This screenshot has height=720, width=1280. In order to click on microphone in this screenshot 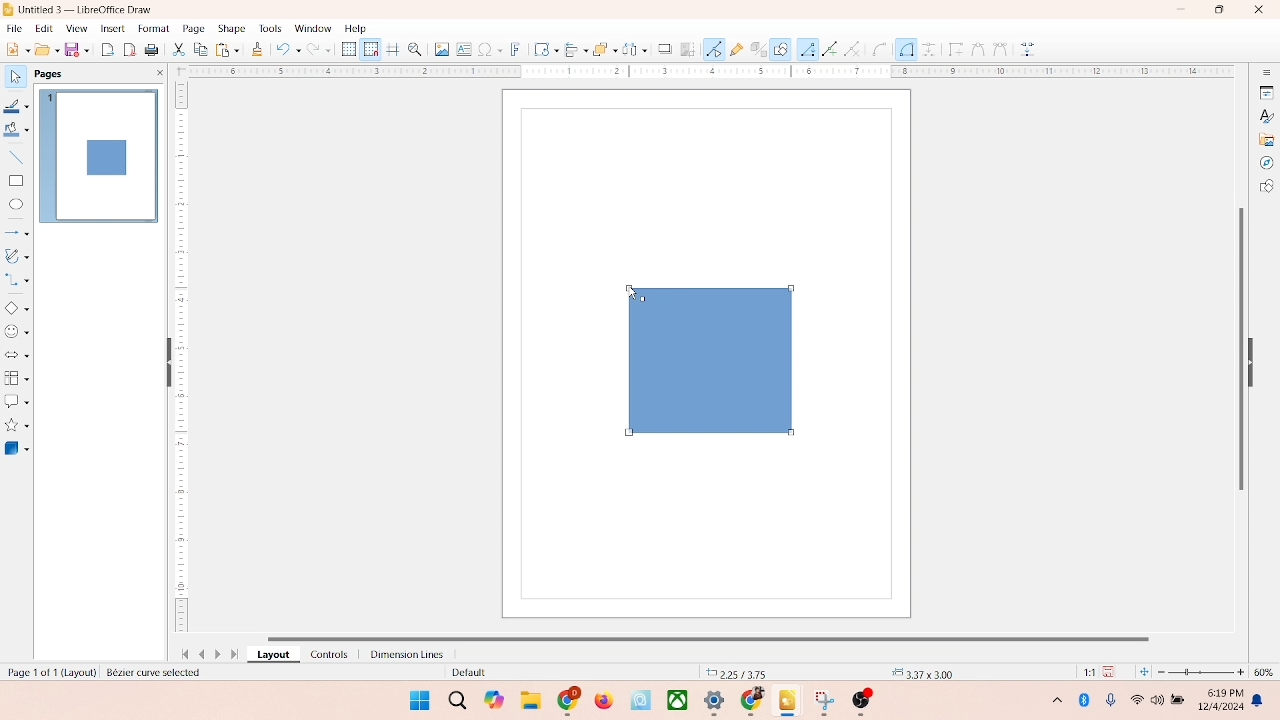, I will do `click(1112, 701)`.